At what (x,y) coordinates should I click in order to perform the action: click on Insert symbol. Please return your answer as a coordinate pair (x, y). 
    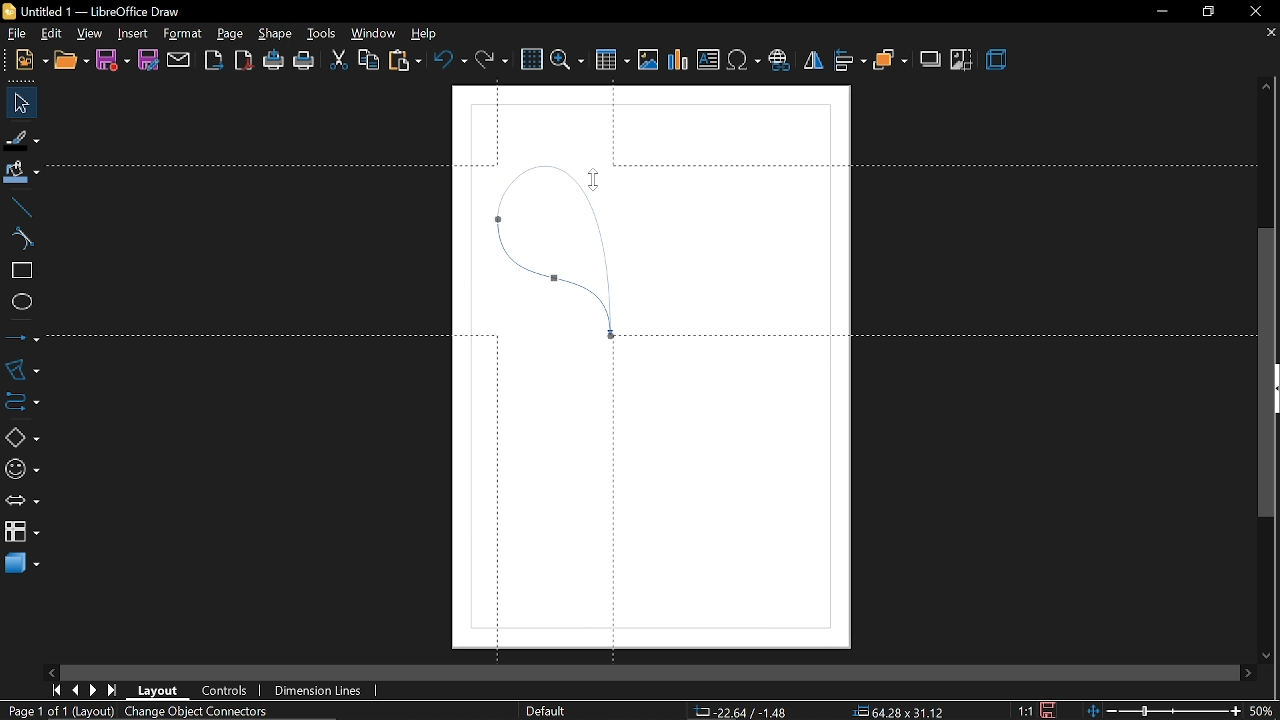
    Looking at the image, I should click on (743, 61).